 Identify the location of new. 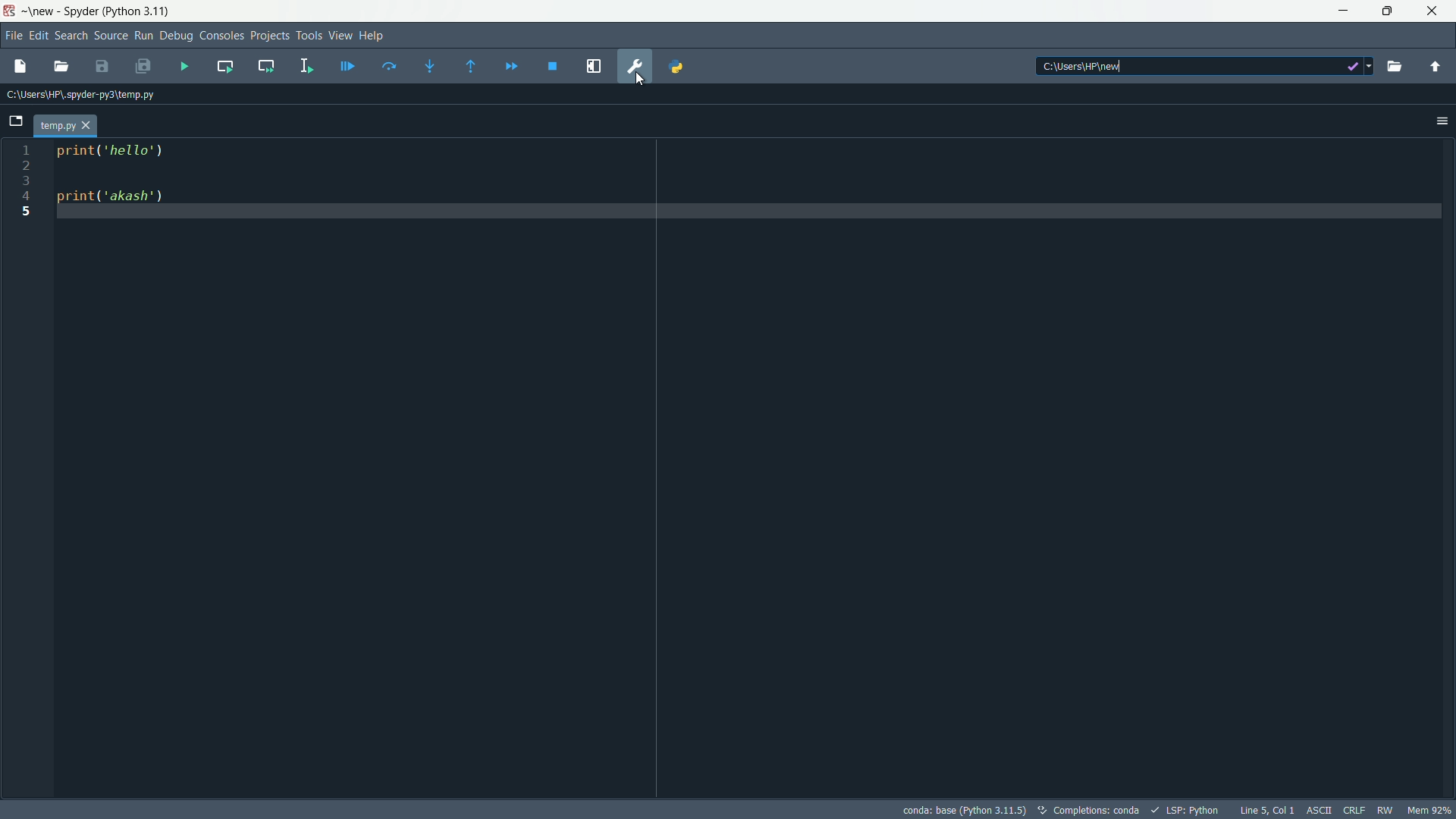
(40, 14).